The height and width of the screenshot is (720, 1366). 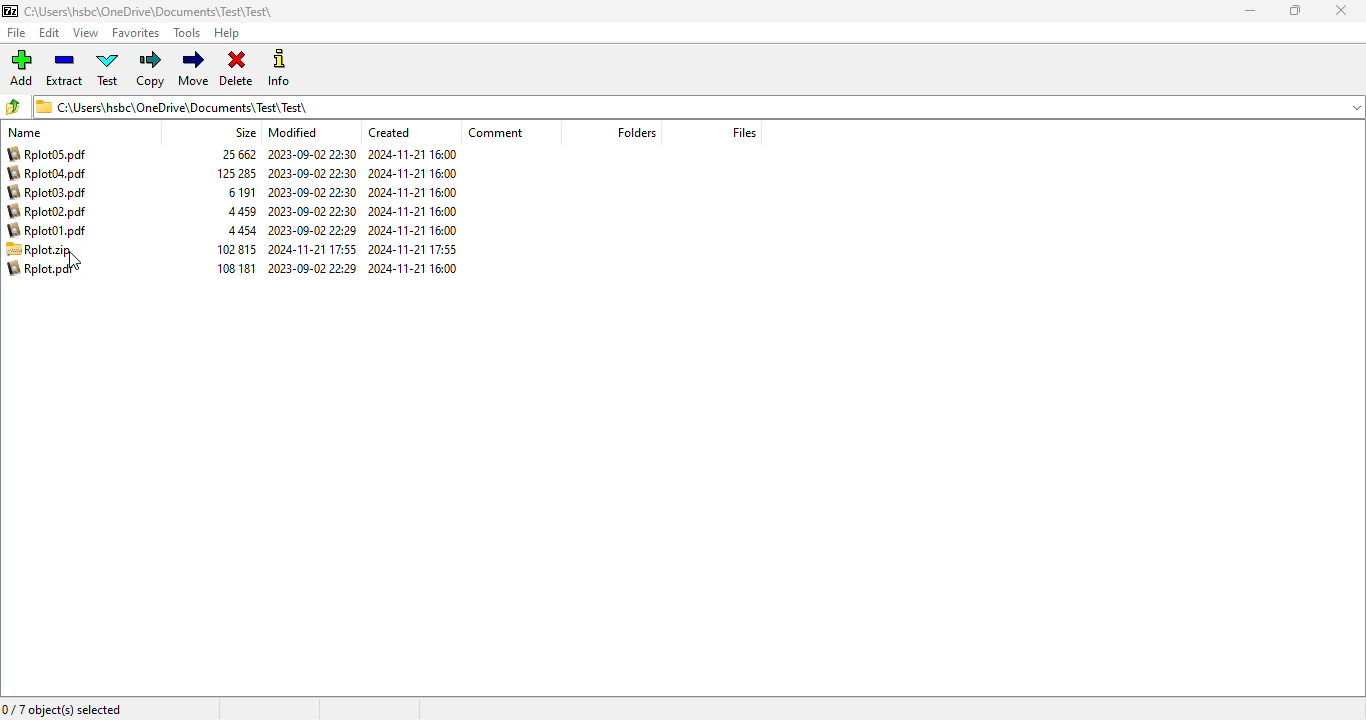 I want to click on size, so click(x=245, y=132).